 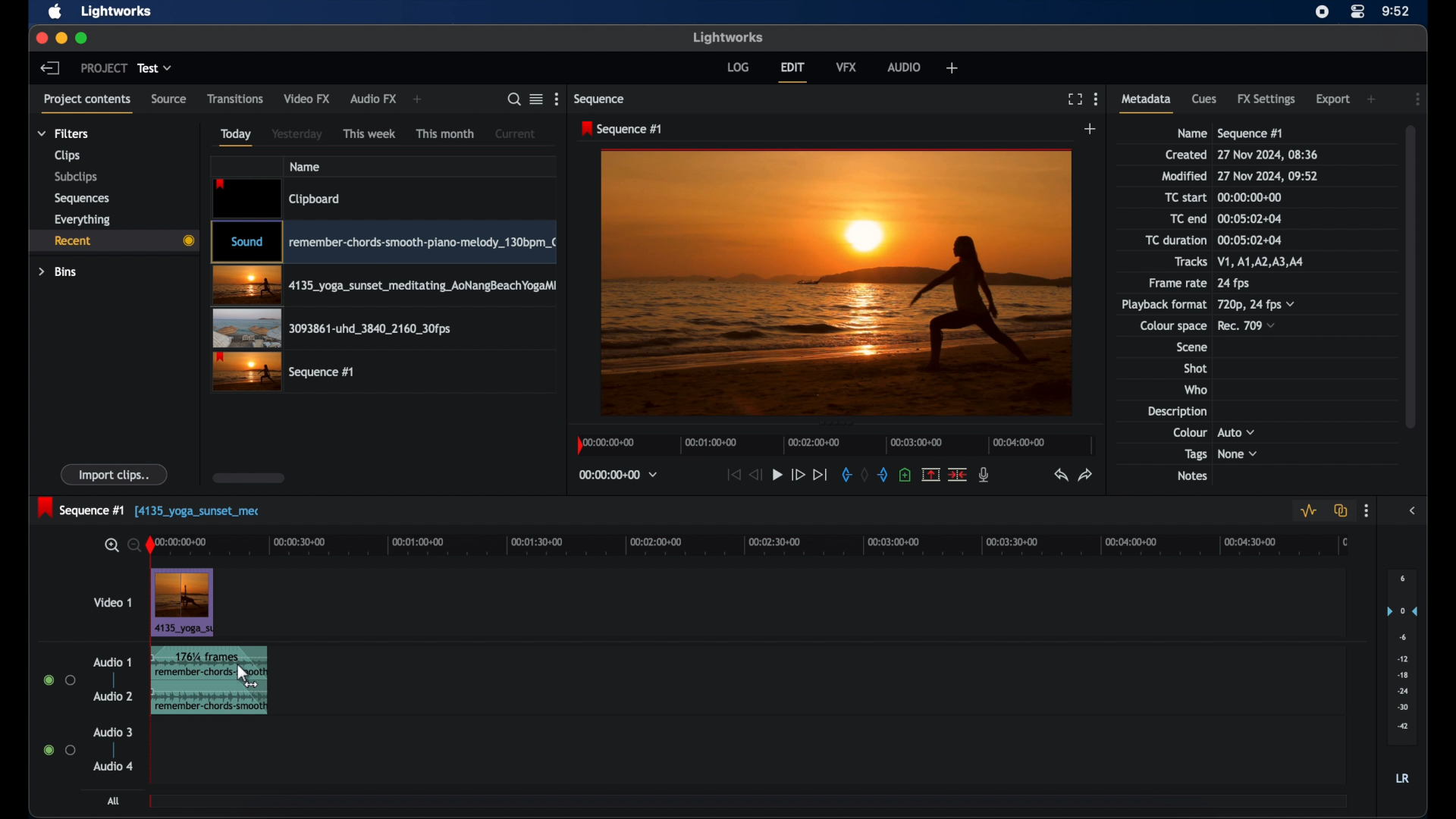 I want to click on tc start, so click(x=1187, y=196).